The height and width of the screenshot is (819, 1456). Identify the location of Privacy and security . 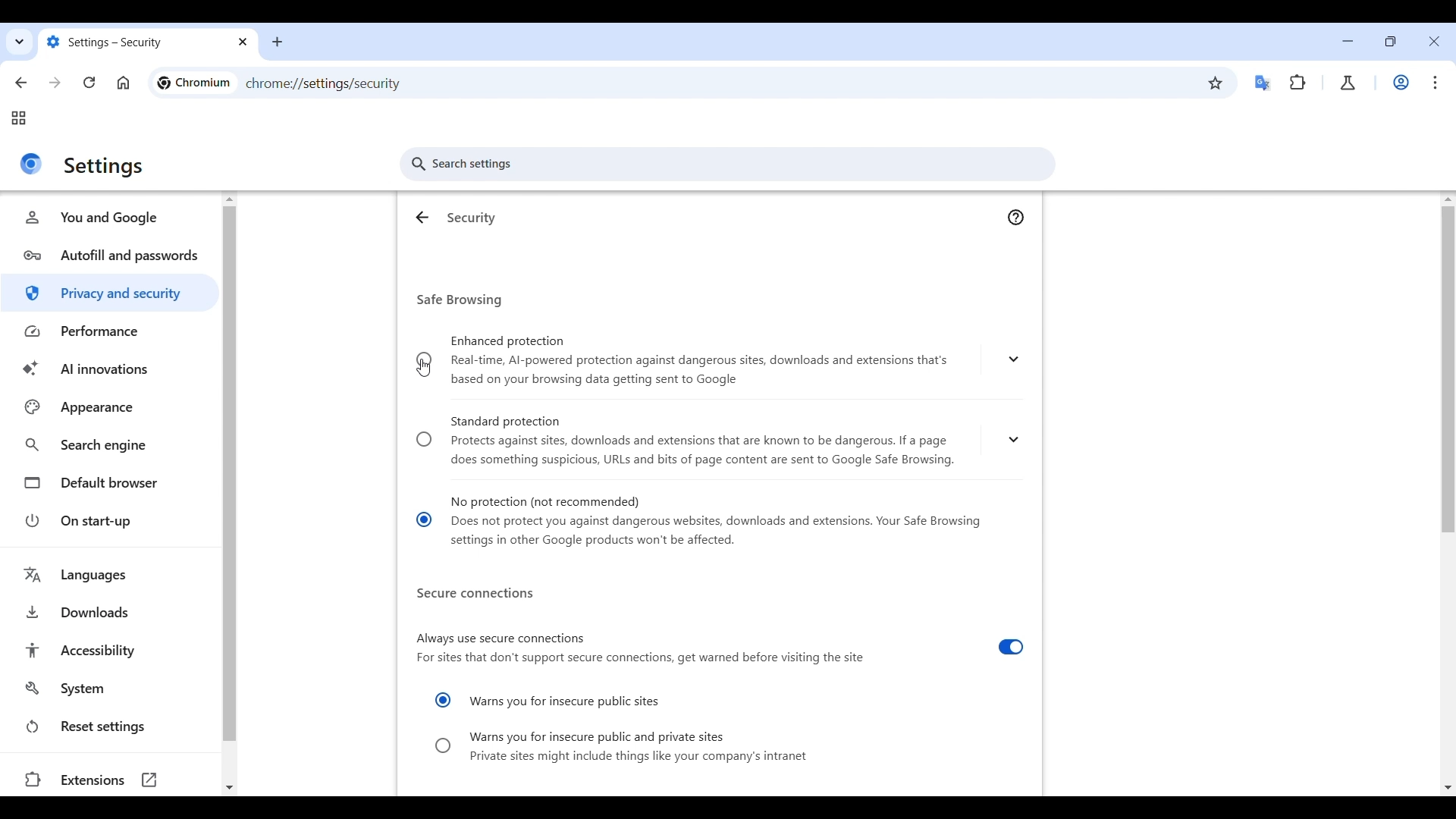
(110, 293).